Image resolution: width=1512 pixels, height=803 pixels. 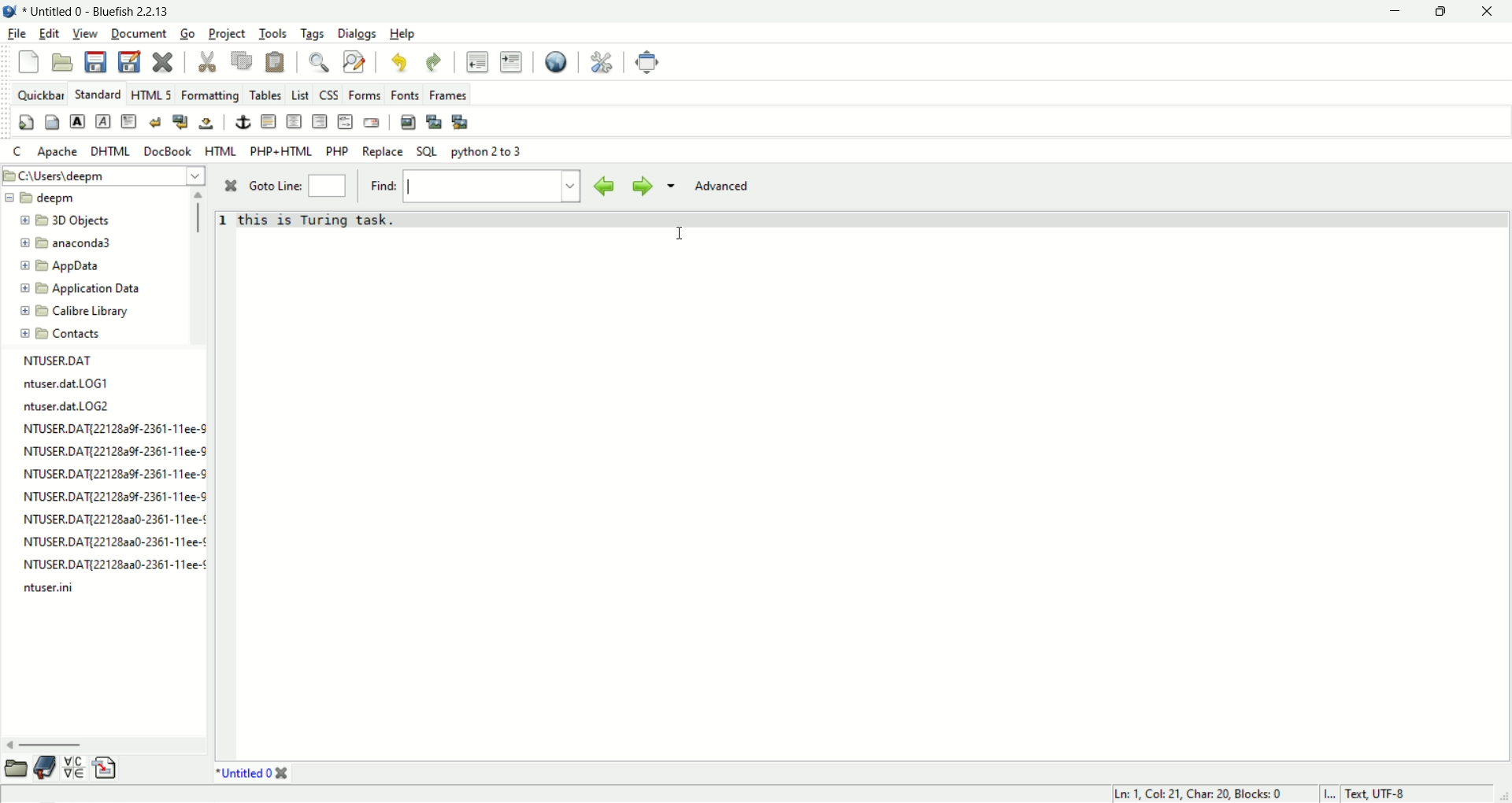 I want to click on New file, so click(x=28, y=61).